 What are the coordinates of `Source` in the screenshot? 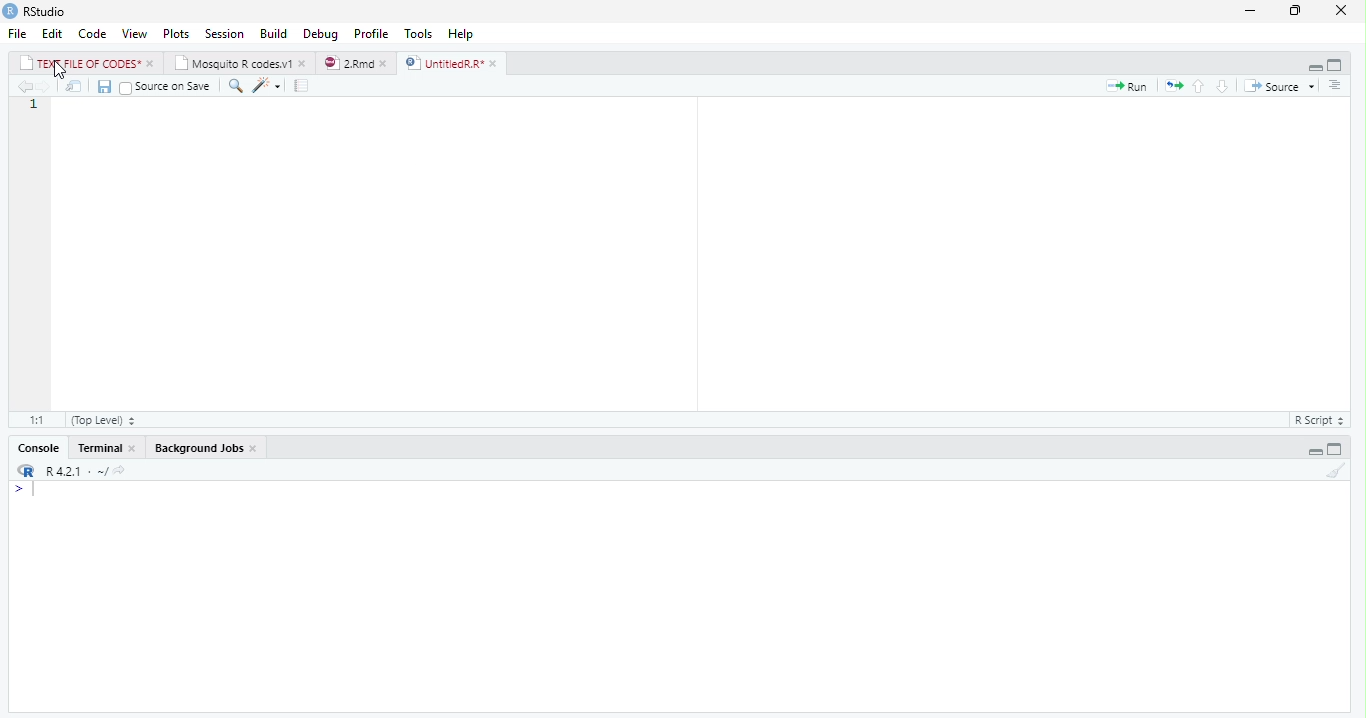 It's located at (1280, 85).